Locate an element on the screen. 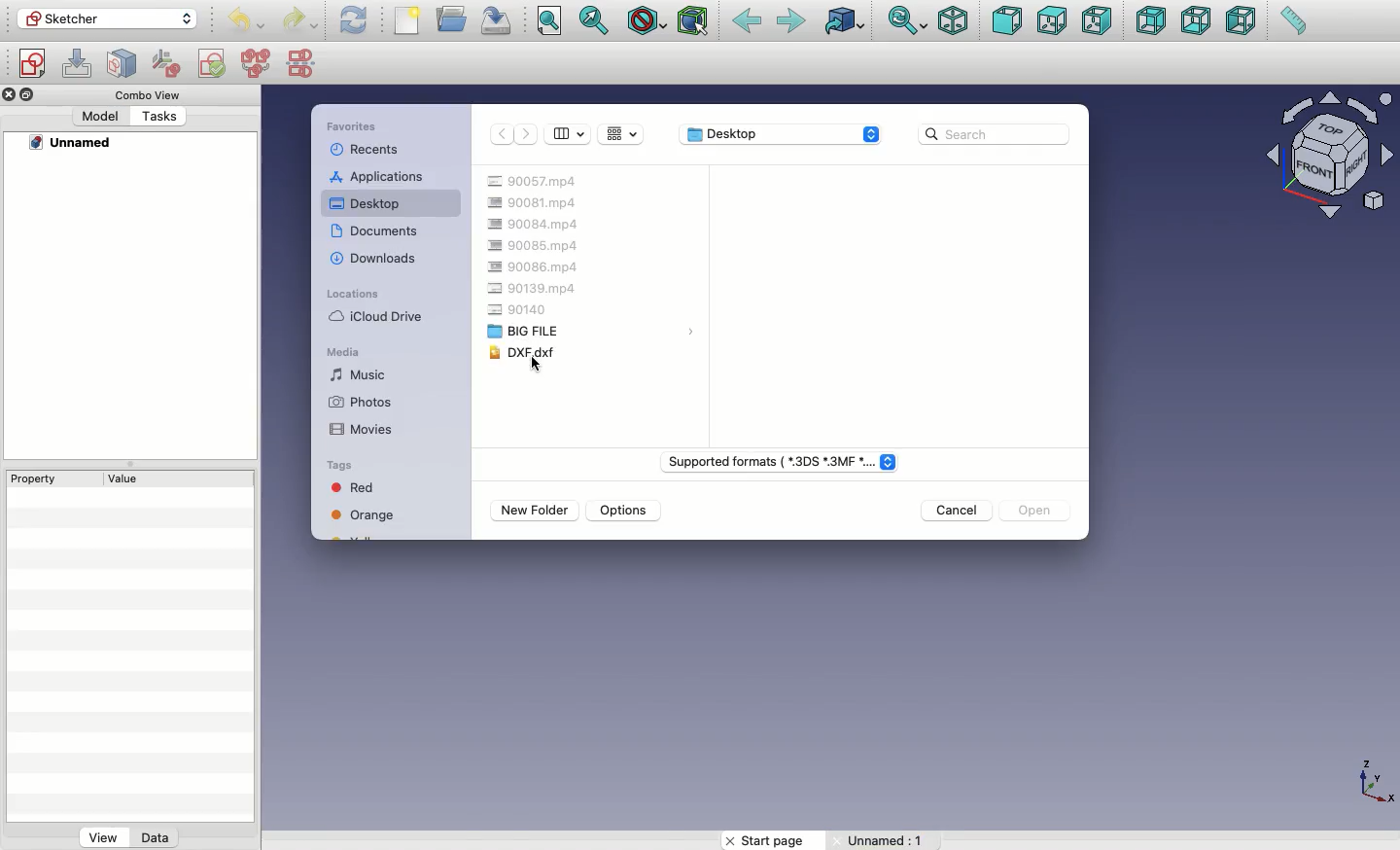  Grid is located at coordinates (622, 134).